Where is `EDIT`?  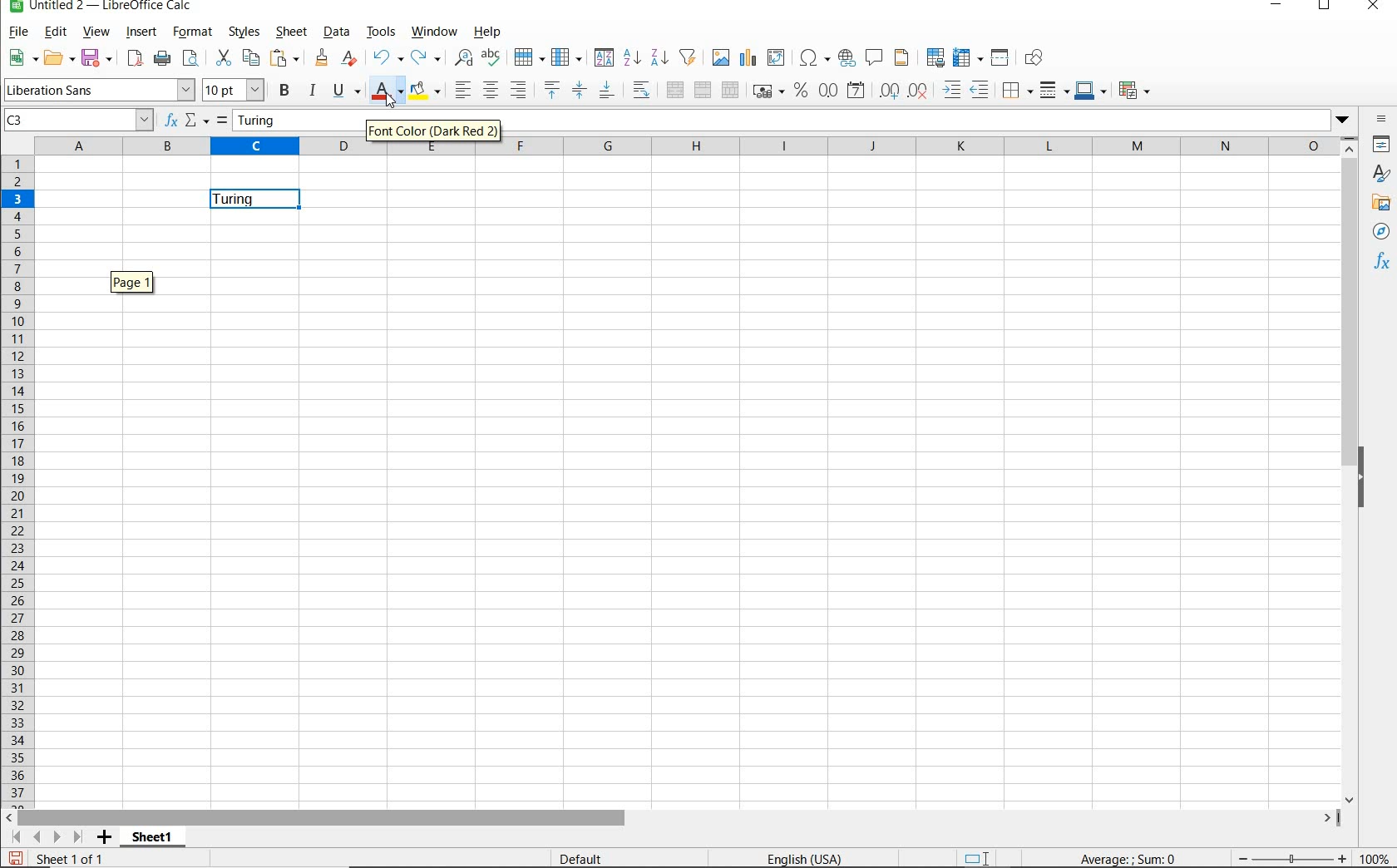
EDIT is located at coordinates (57, 33).